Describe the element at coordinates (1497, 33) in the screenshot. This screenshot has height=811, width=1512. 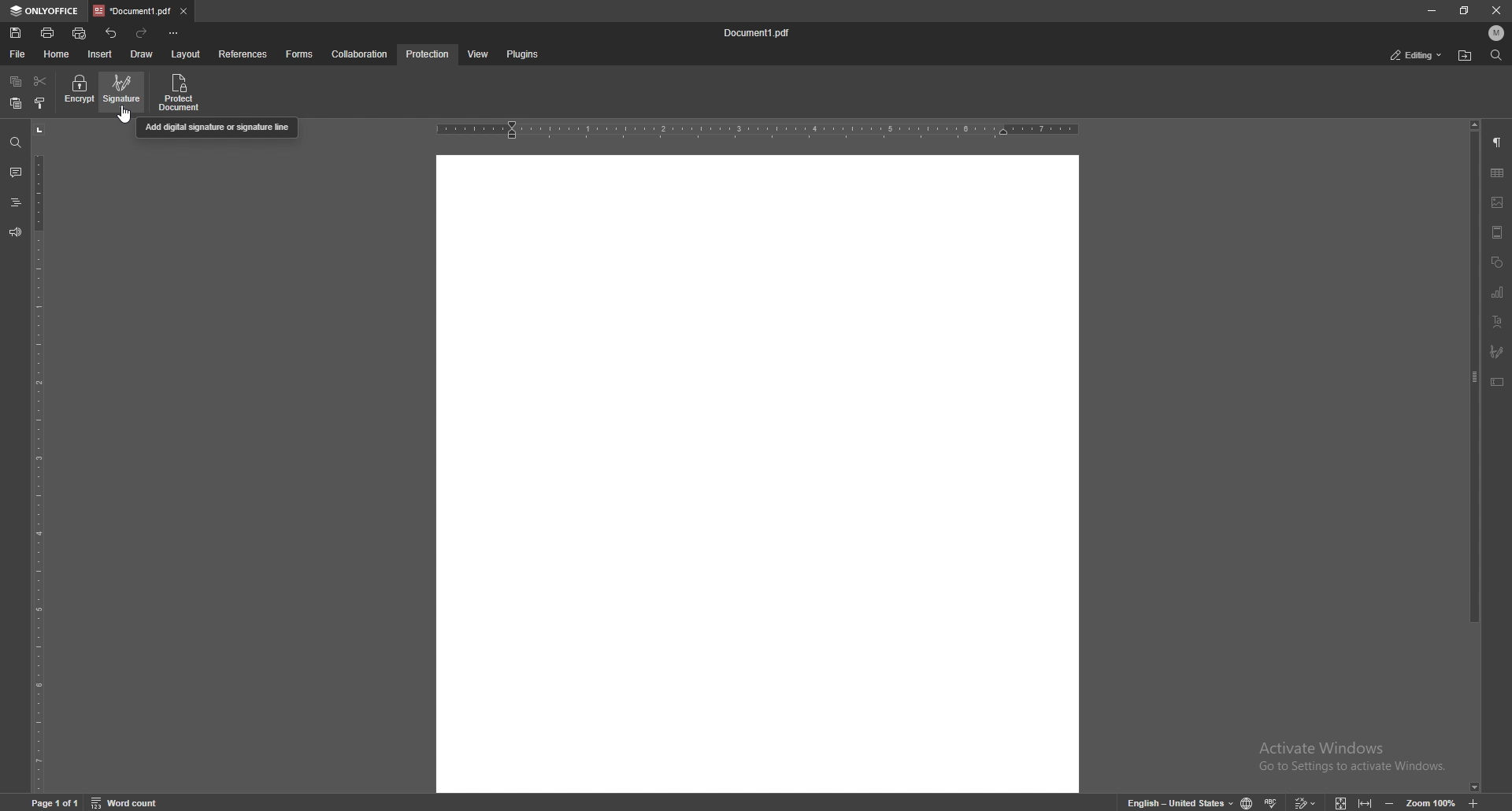
I see `profile` at that location.